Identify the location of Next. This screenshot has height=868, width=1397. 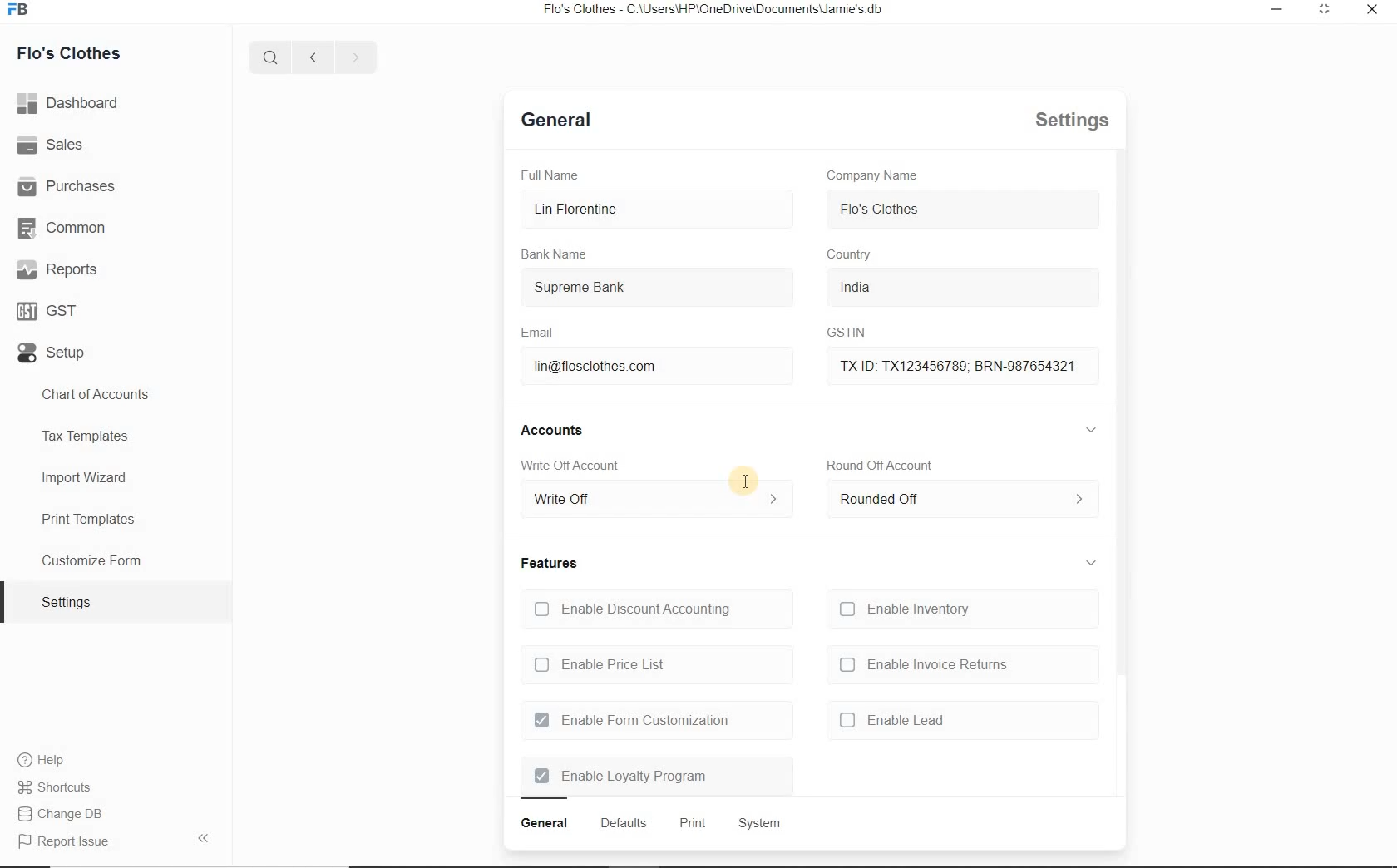
(355, 57).